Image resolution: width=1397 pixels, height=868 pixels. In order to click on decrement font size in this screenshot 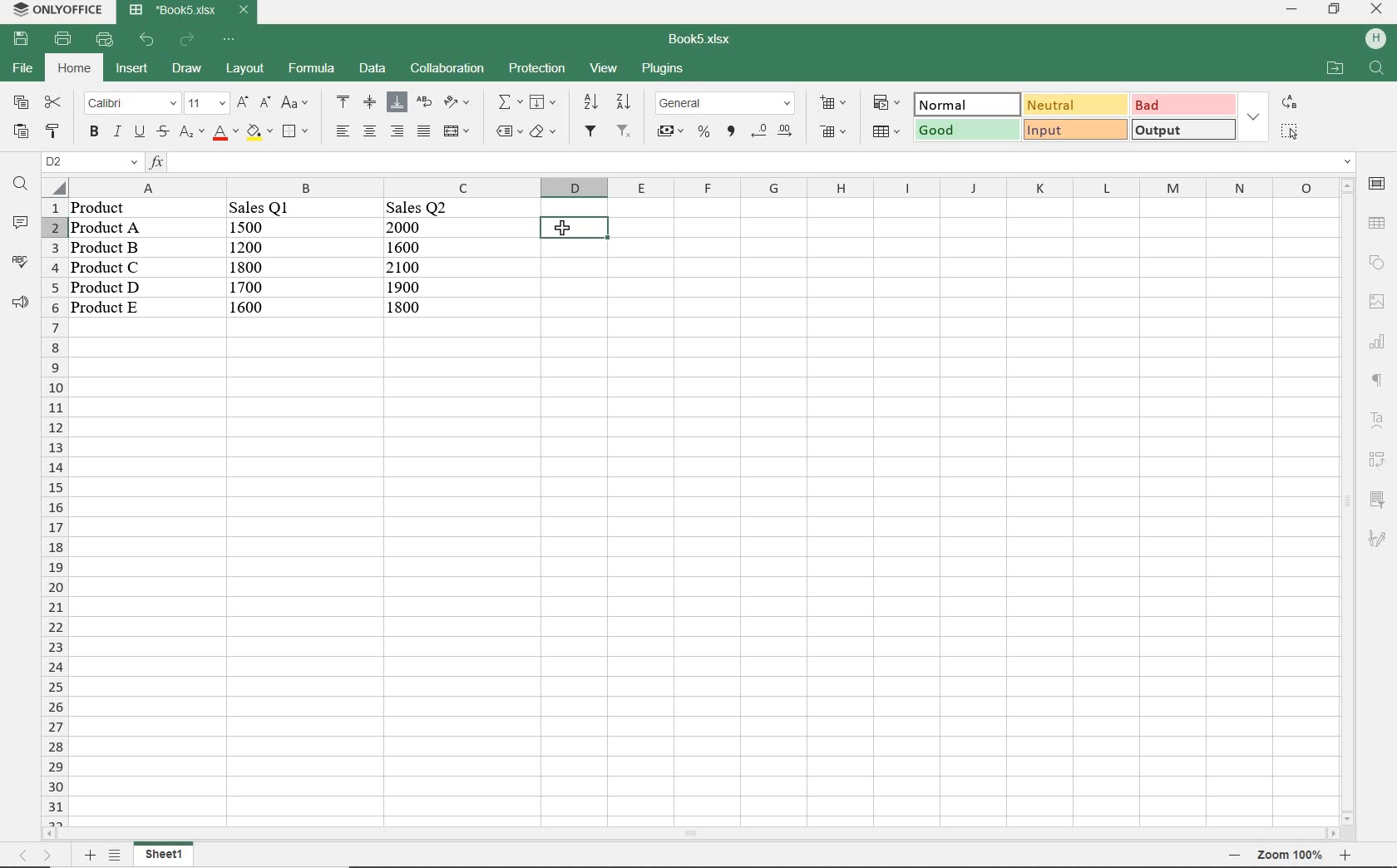, I will do `click(264, 102)`.